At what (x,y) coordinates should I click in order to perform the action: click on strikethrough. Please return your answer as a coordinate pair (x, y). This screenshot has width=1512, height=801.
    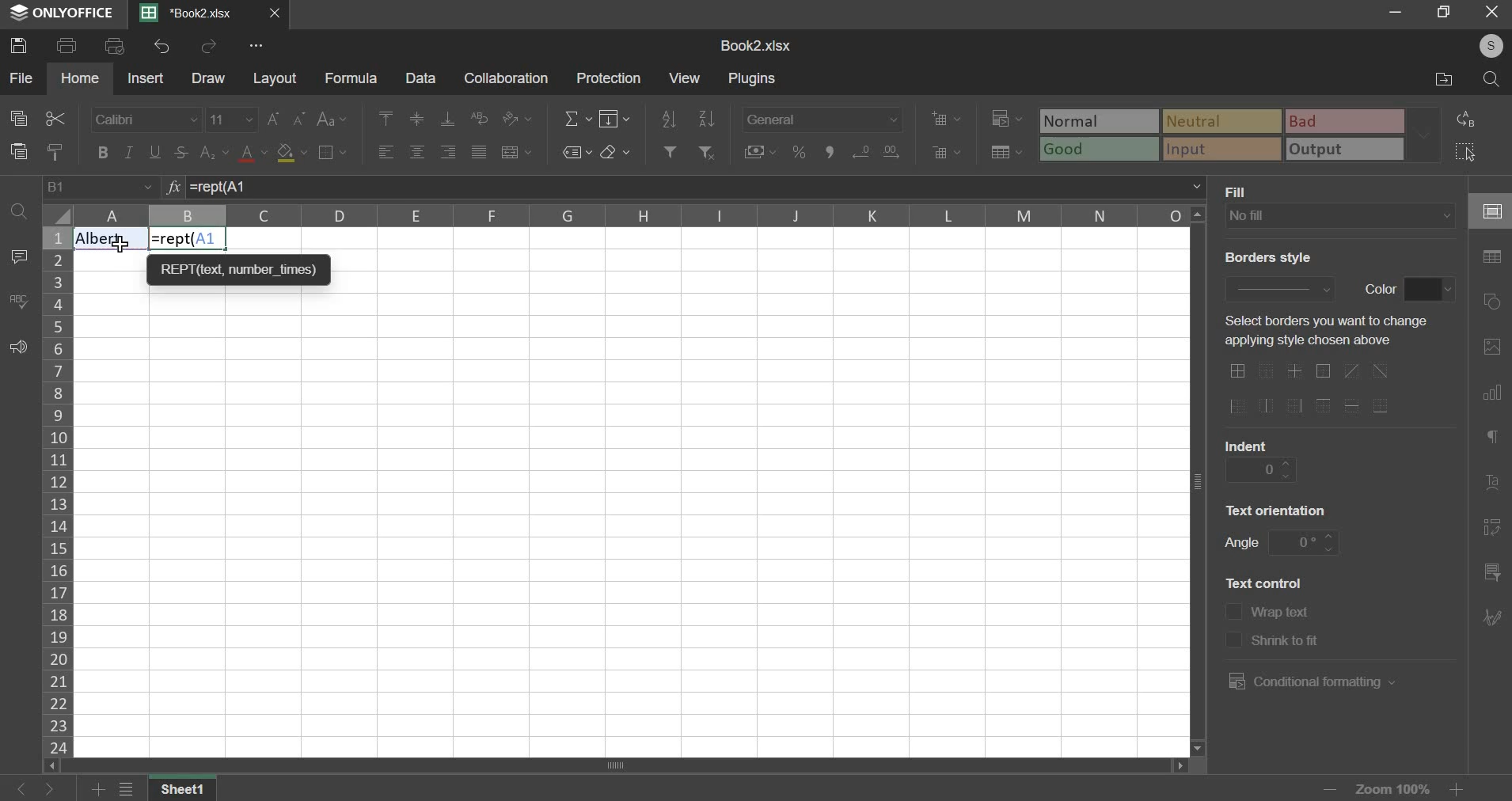
    Looking at the image, I should click on (184, 152).